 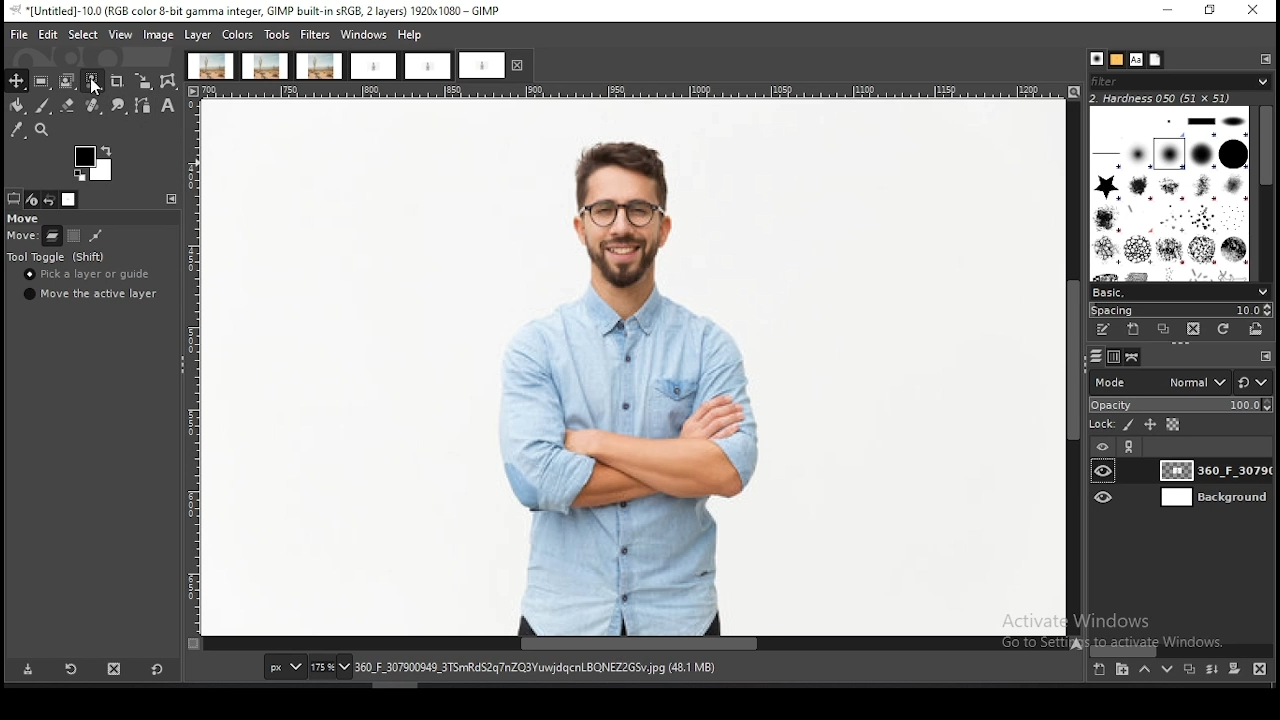 What do you see at coordinates (92, 81) in the screenshot?
I see `select by similar color` at bounding box center [92, 81].